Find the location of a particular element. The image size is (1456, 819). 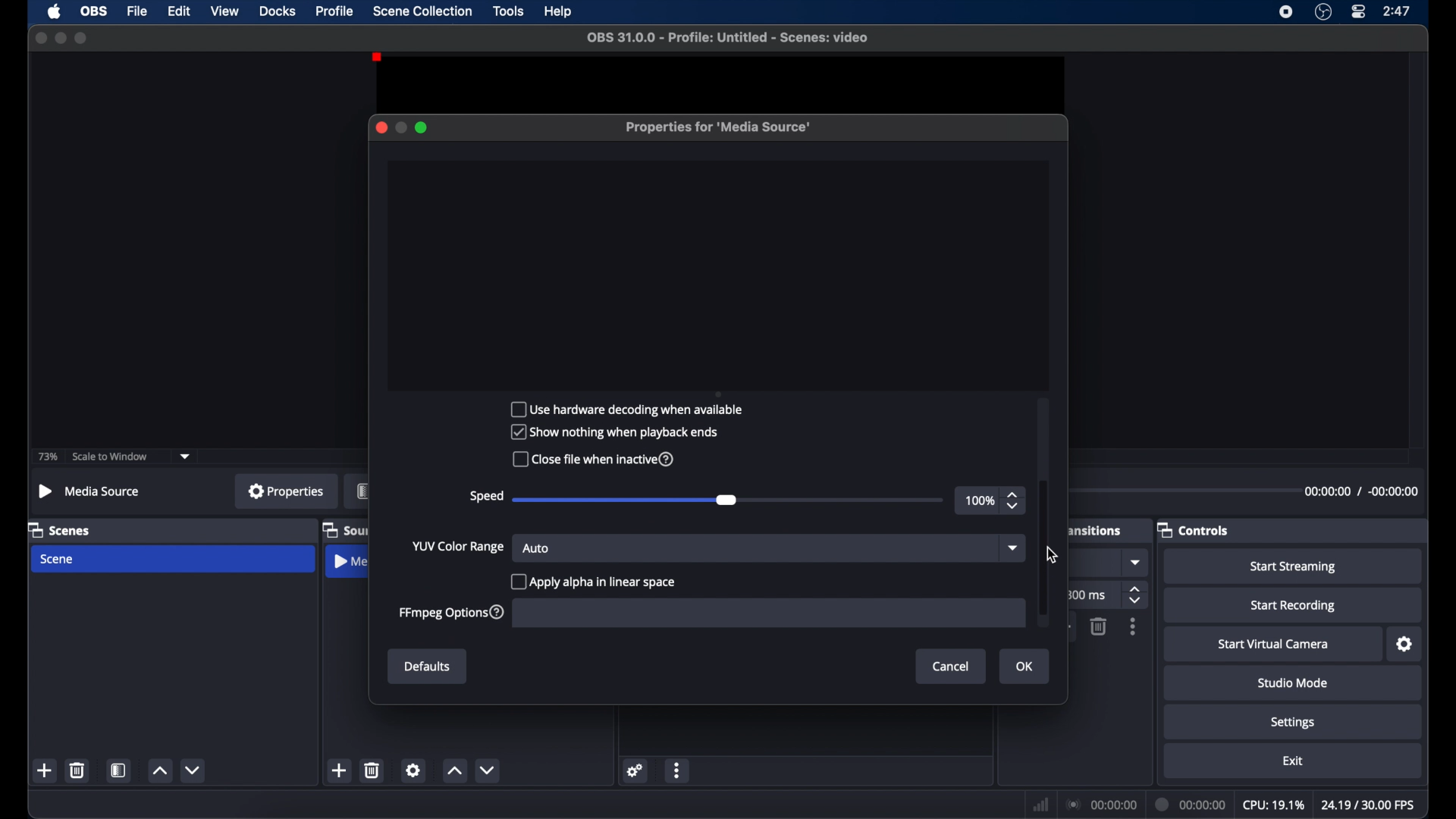

moreoptions is located at coordinates (1133, 626).